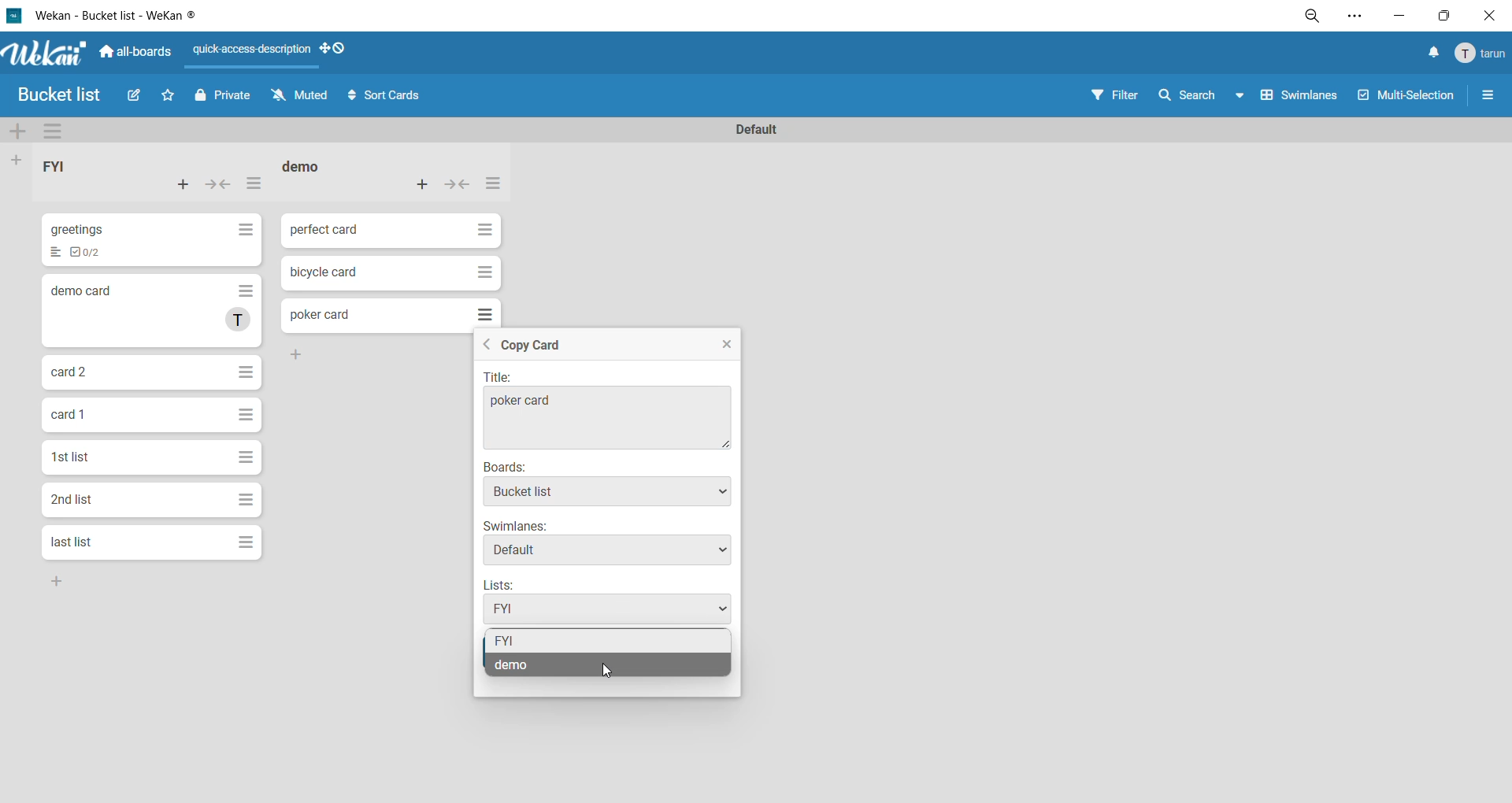  Describe the element at coordinates (245, 544) in the screenshot. I see `Hamburger` at that location.